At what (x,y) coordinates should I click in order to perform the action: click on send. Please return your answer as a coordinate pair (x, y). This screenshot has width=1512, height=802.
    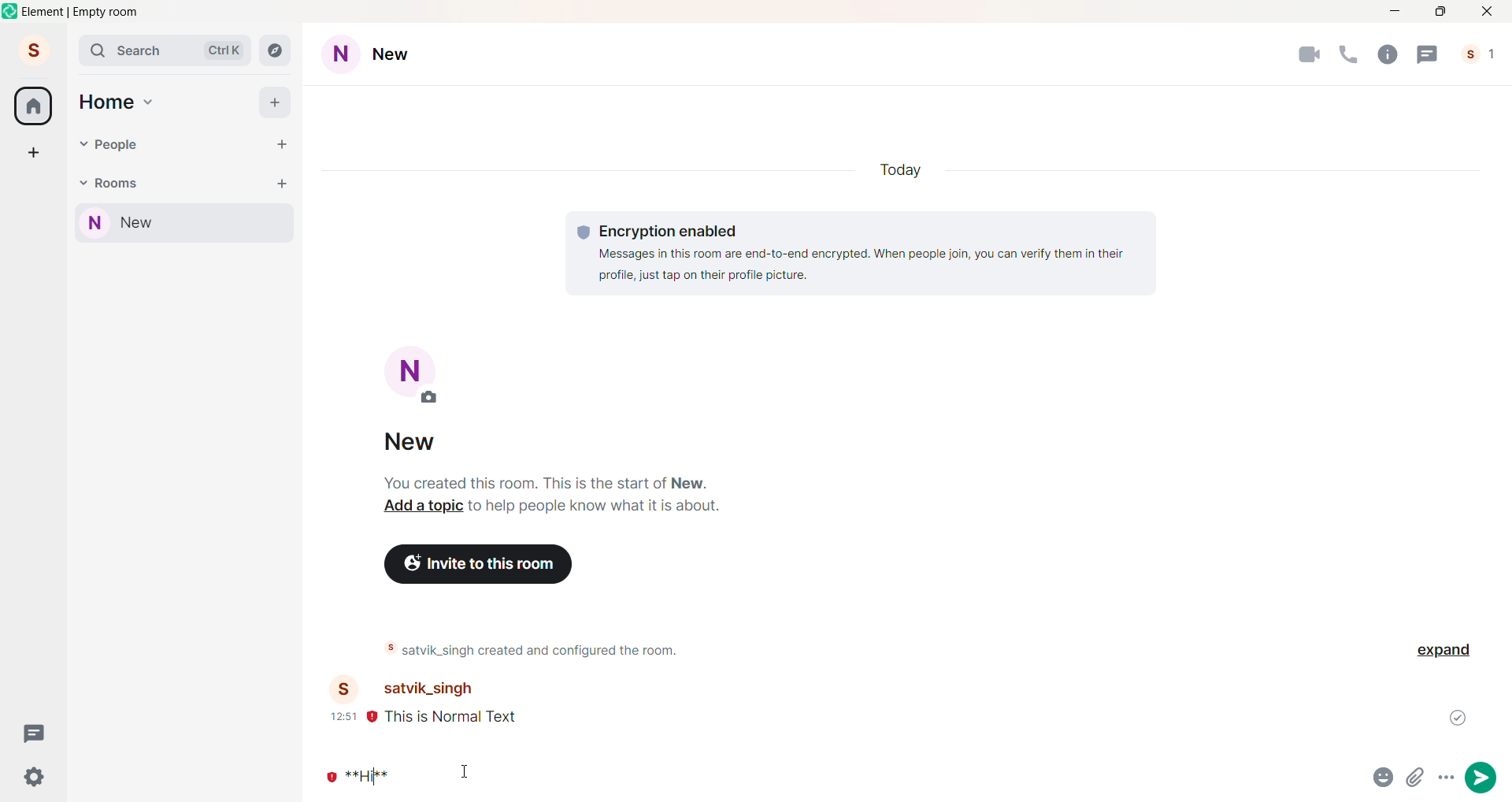
    Looking at the image, I should click on (1480, 778).